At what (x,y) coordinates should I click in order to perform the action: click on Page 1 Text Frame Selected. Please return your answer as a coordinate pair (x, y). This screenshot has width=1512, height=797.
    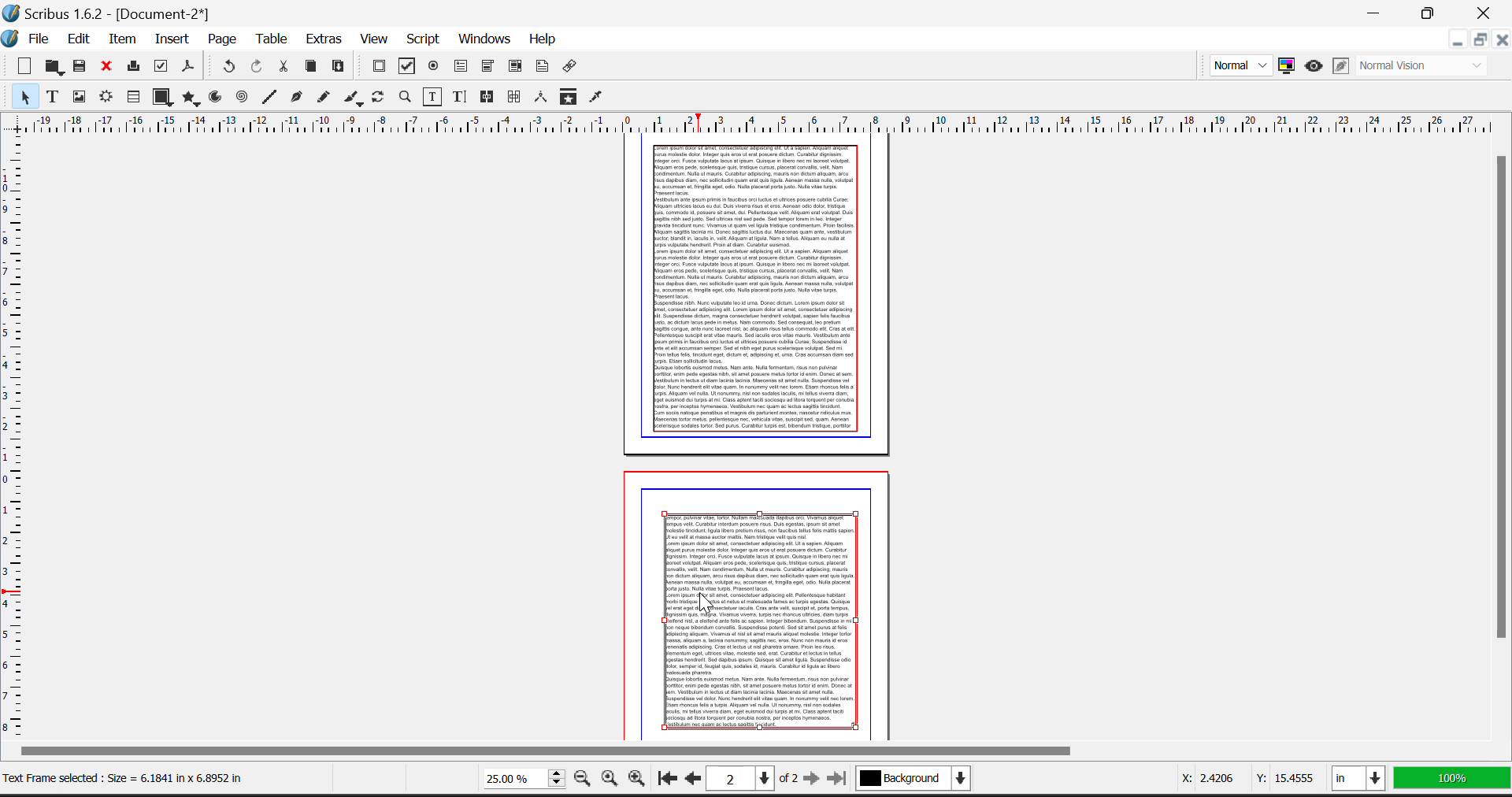
    Looking at the image, I should click on (756, 288).